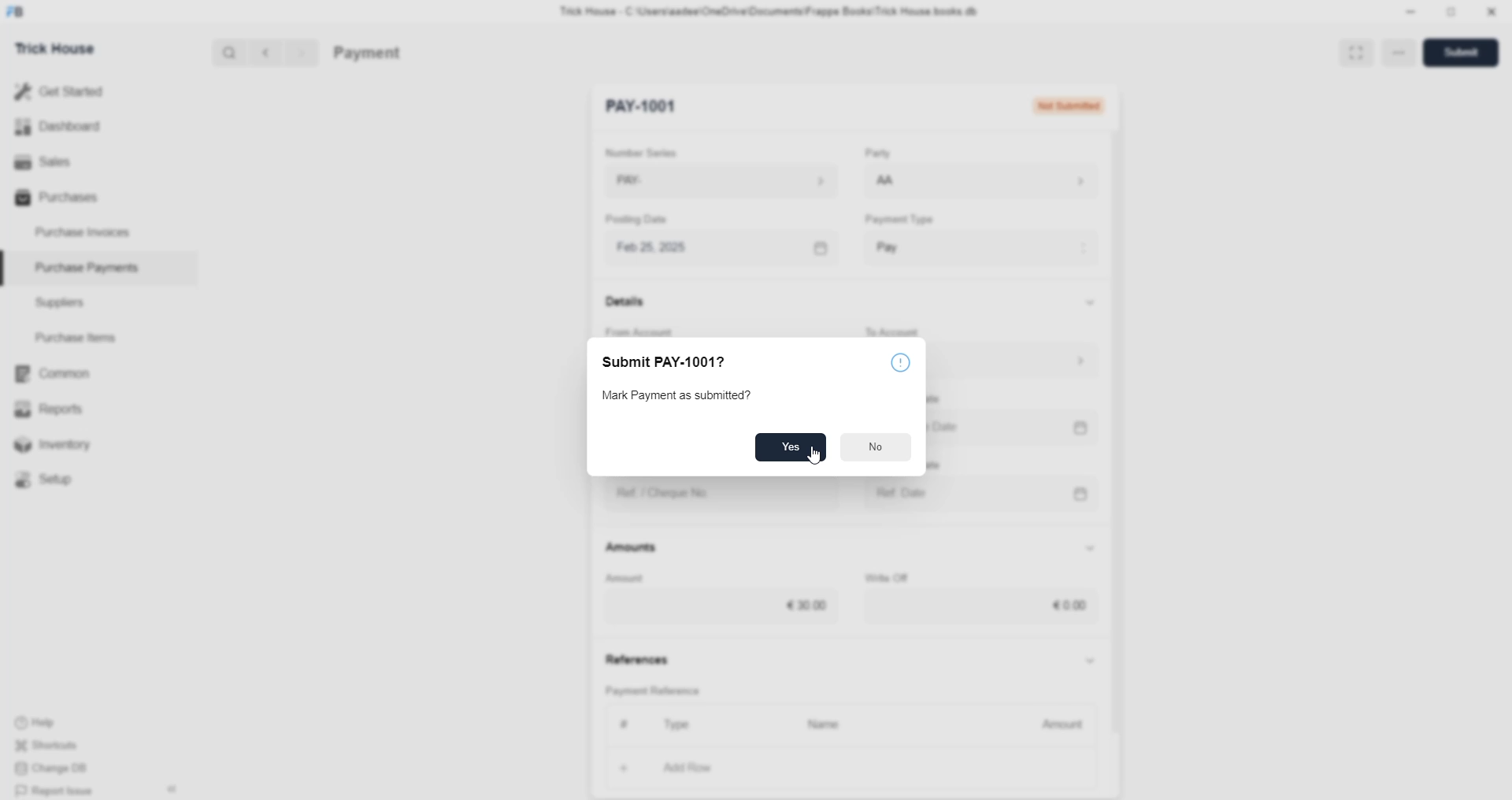  Describe the element at coordinates (632, 306) in the screenshot. I see `Details` at that location.